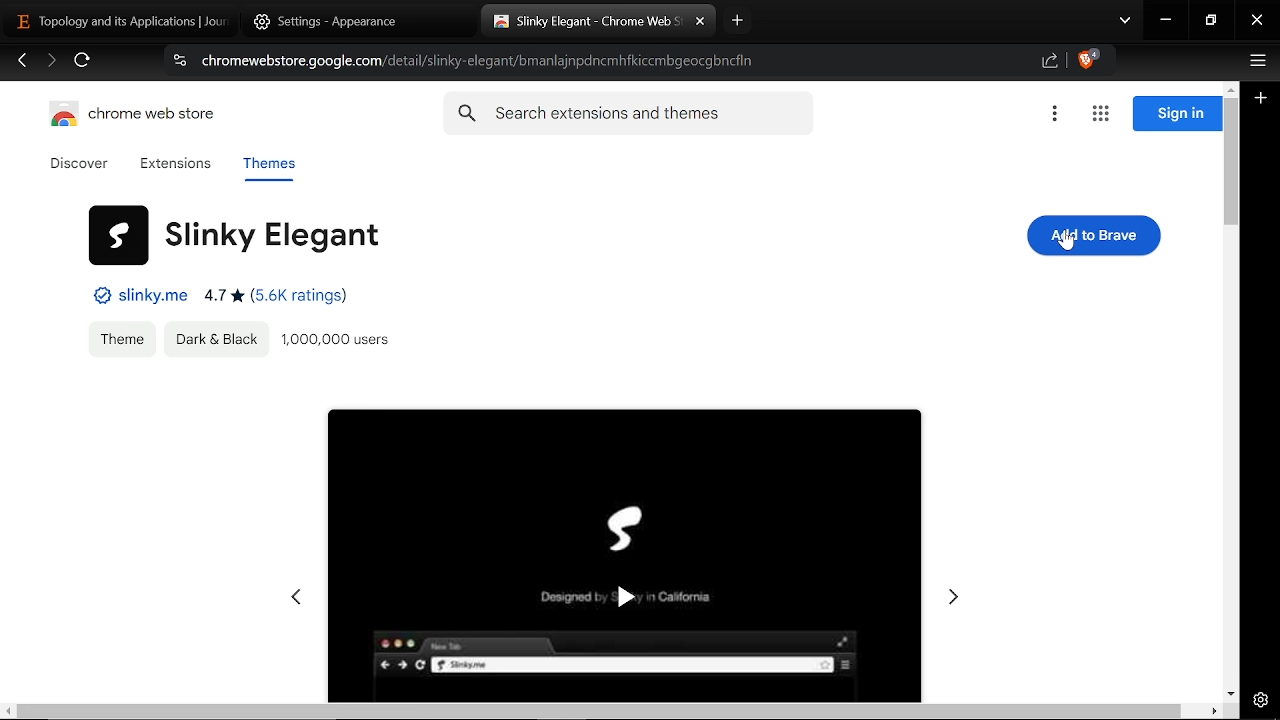 The height and width of the screenshot is (720, 1280). I want to click on Refesh, so click(83, 63).